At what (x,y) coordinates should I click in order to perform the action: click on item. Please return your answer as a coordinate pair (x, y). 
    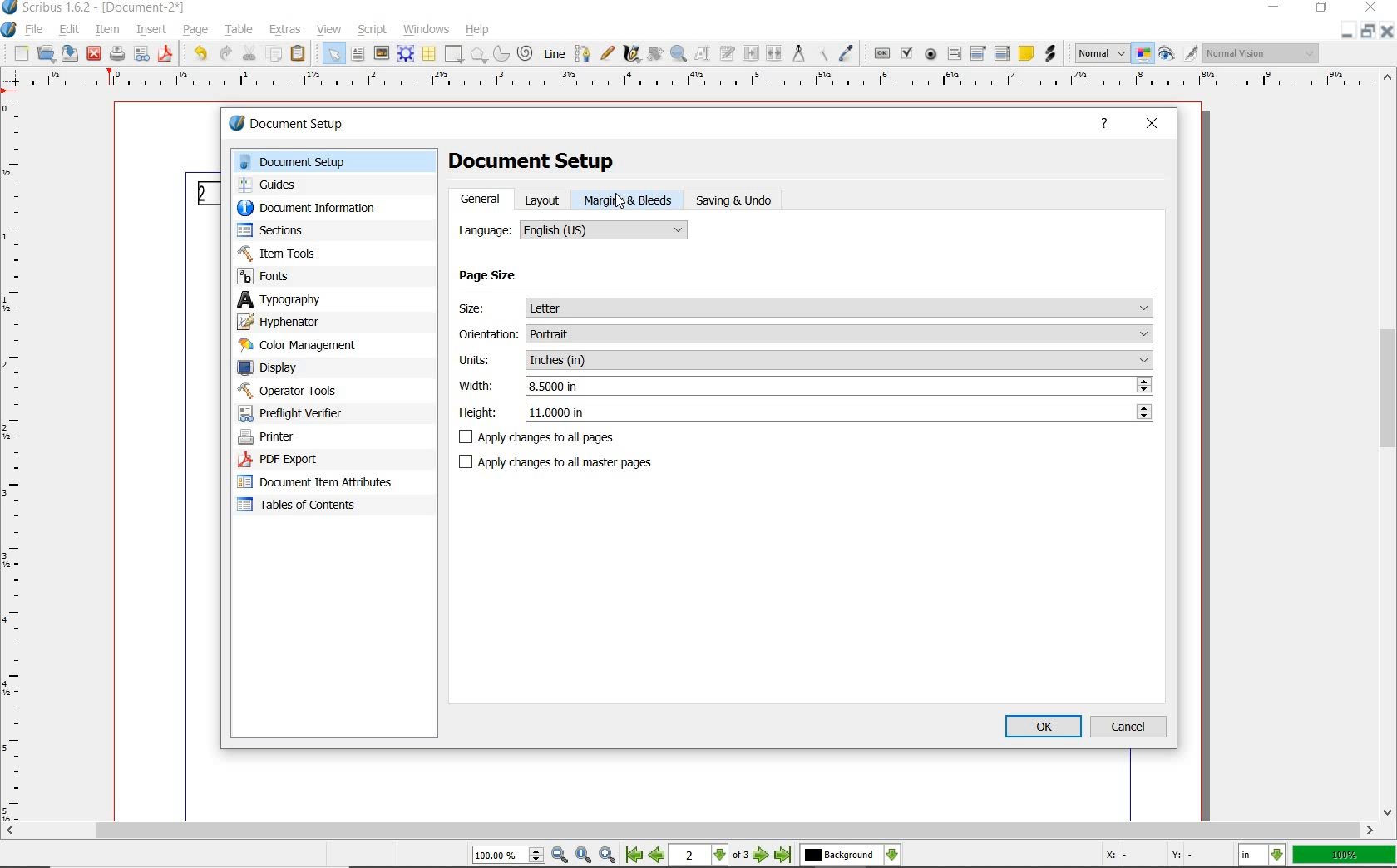
    Looking at the image, I should click on (107, 30).